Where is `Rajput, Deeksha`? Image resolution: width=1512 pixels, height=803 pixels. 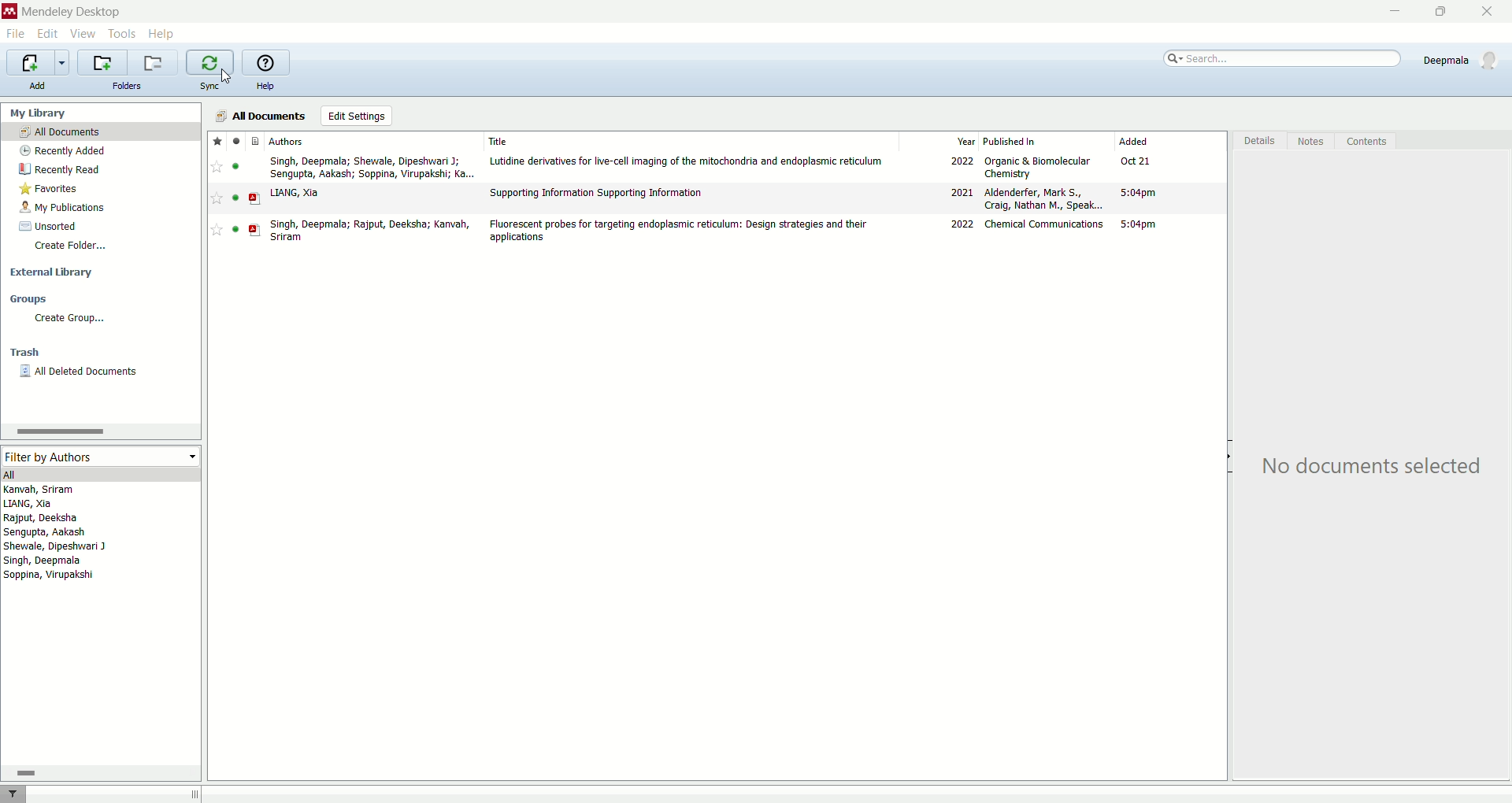 Rajput, Deeksha is located at coordinates (42, 518).